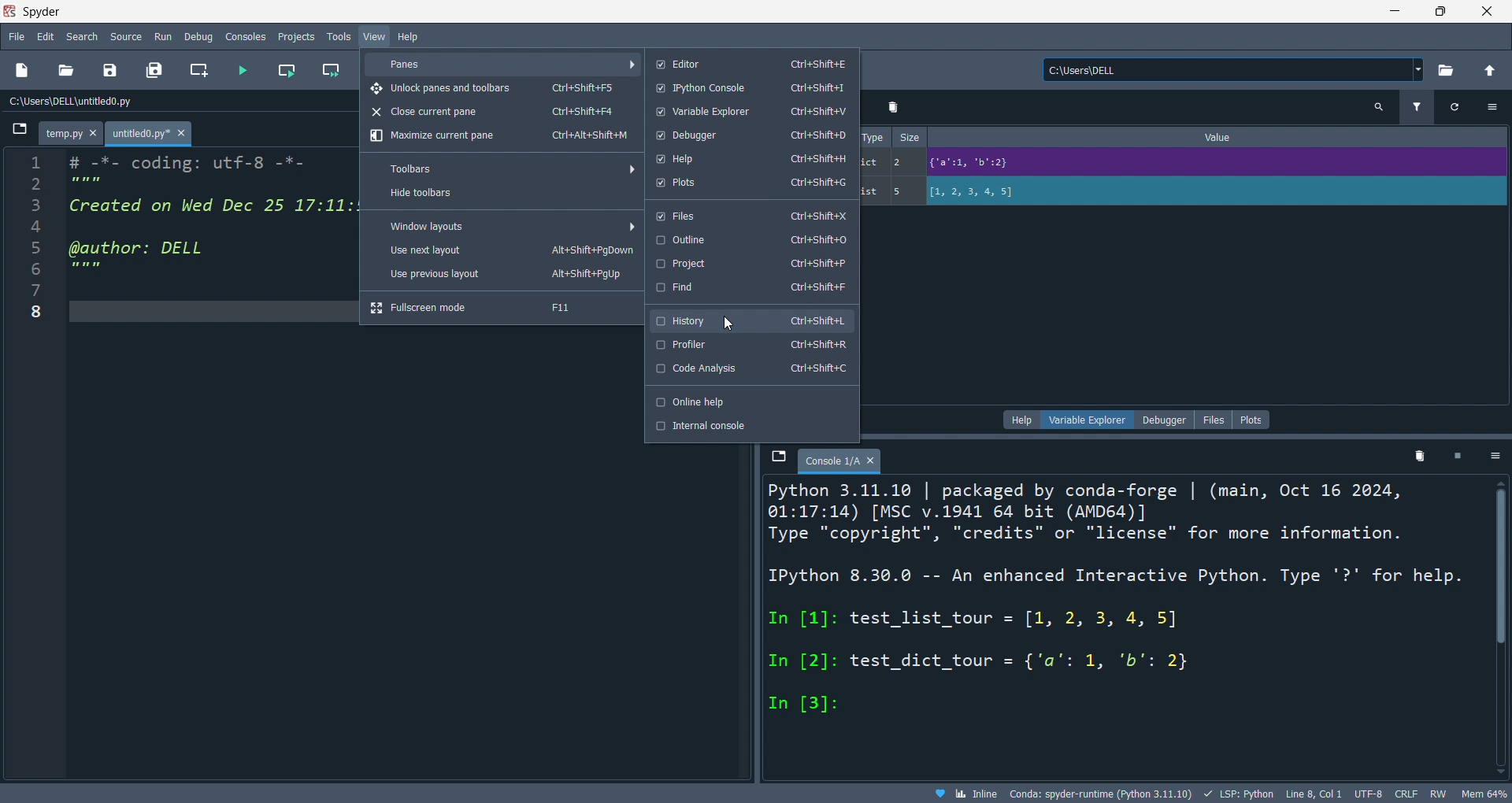 Image resolution: width=1512 pixels, height=803 pixels. I want to click on outline, so click(750, 240).